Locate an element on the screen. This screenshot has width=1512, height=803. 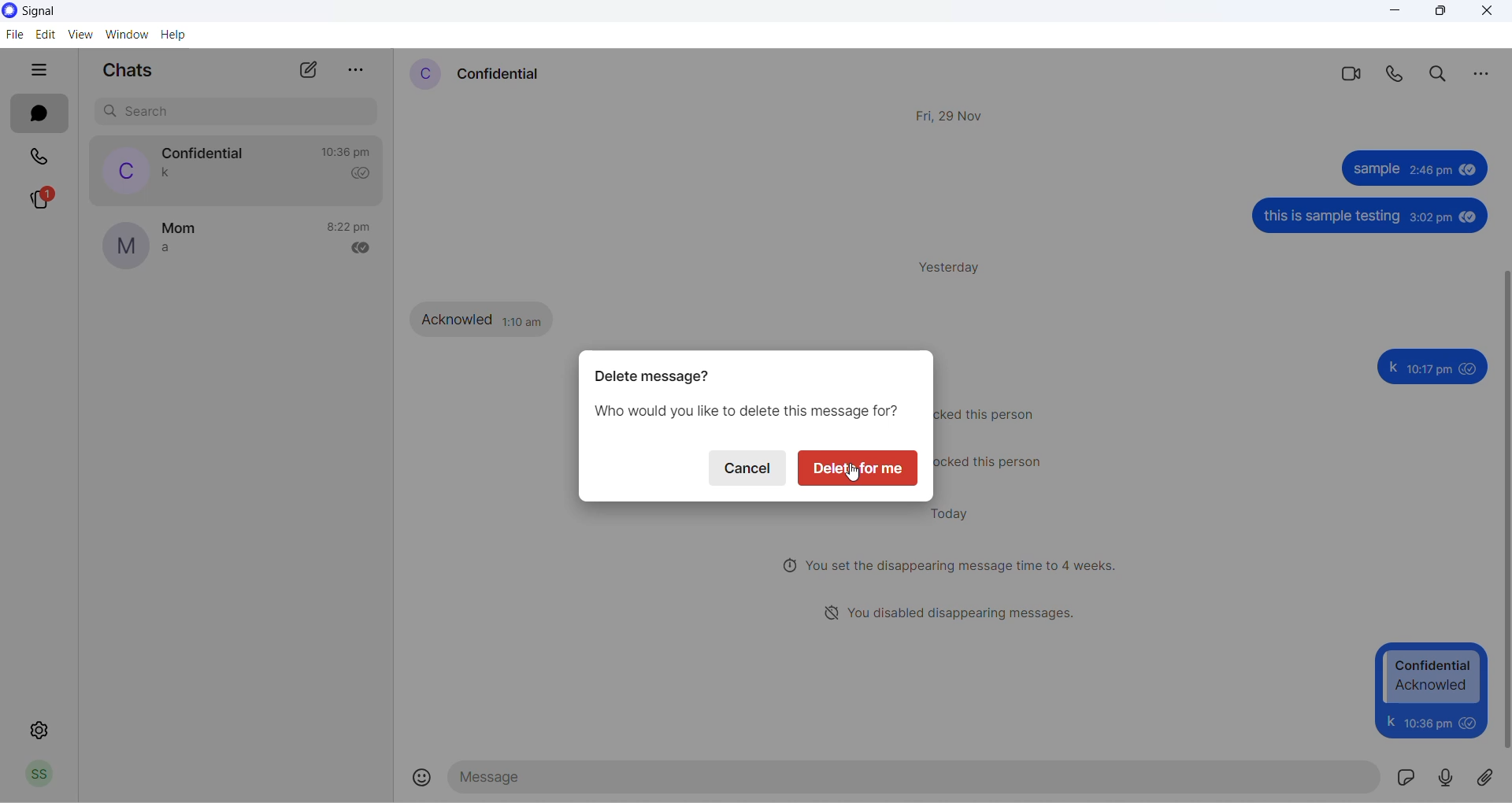
stories is located at coordinates (42, 201).